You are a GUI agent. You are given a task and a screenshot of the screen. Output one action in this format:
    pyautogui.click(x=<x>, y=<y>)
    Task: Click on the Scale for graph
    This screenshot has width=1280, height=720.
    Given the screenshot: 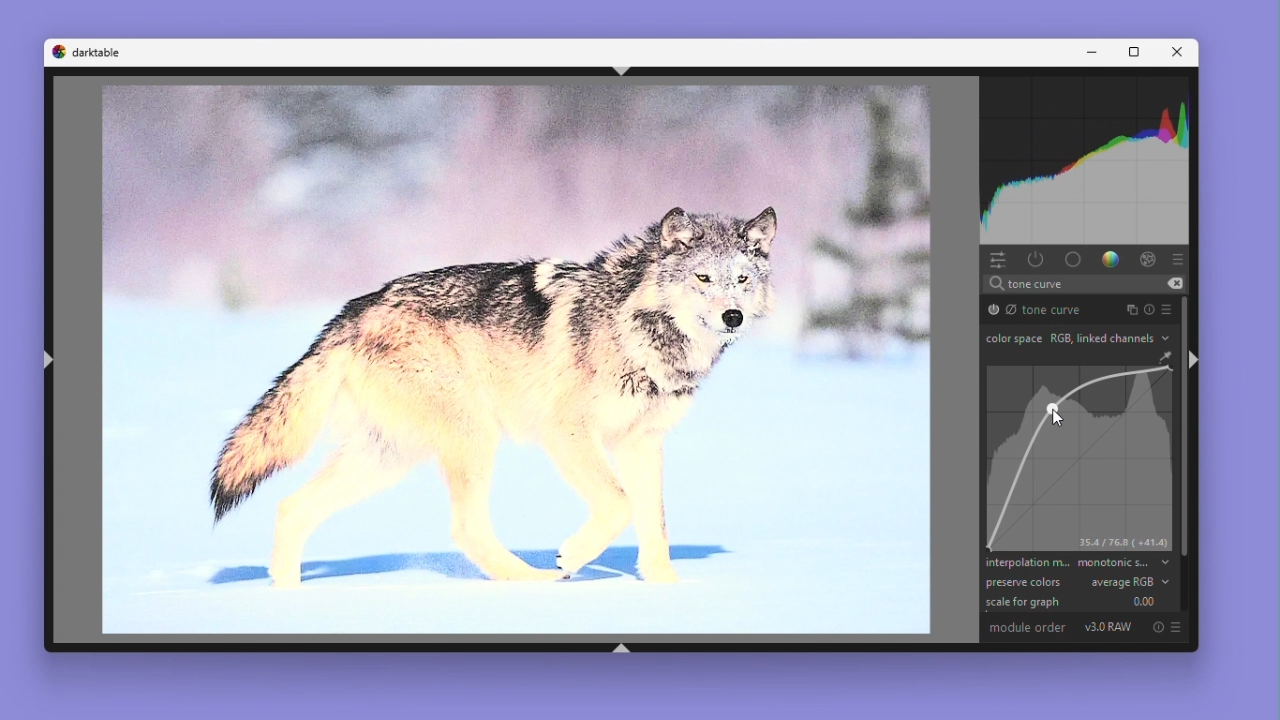 What is the action you would take?
    pyautogui.click(x=1075, y=602)
    